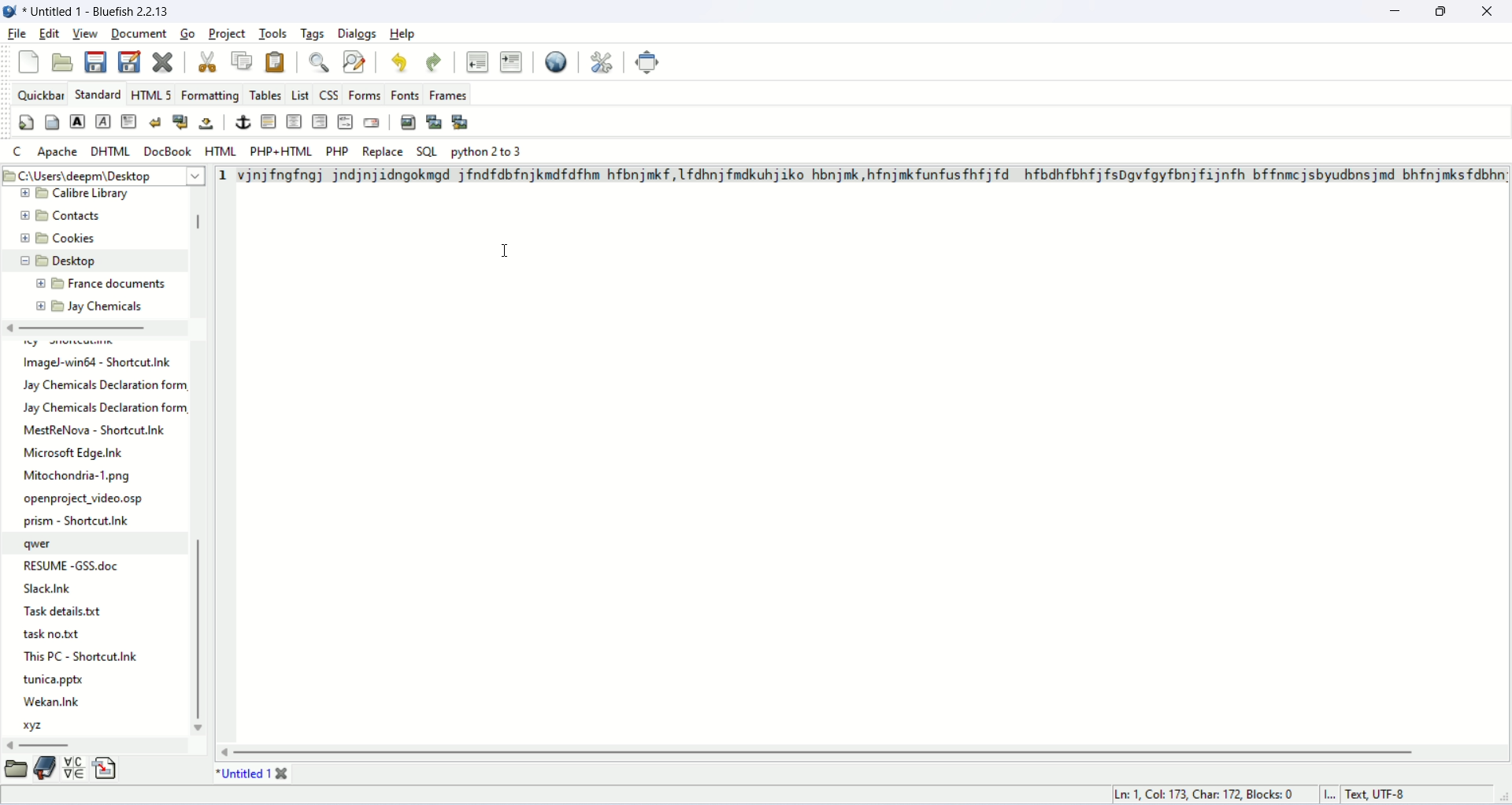 This screenshot has height=805, width=1512. I want to click on 5 C:\Users\deepm\Desktop, so click(88, 175).